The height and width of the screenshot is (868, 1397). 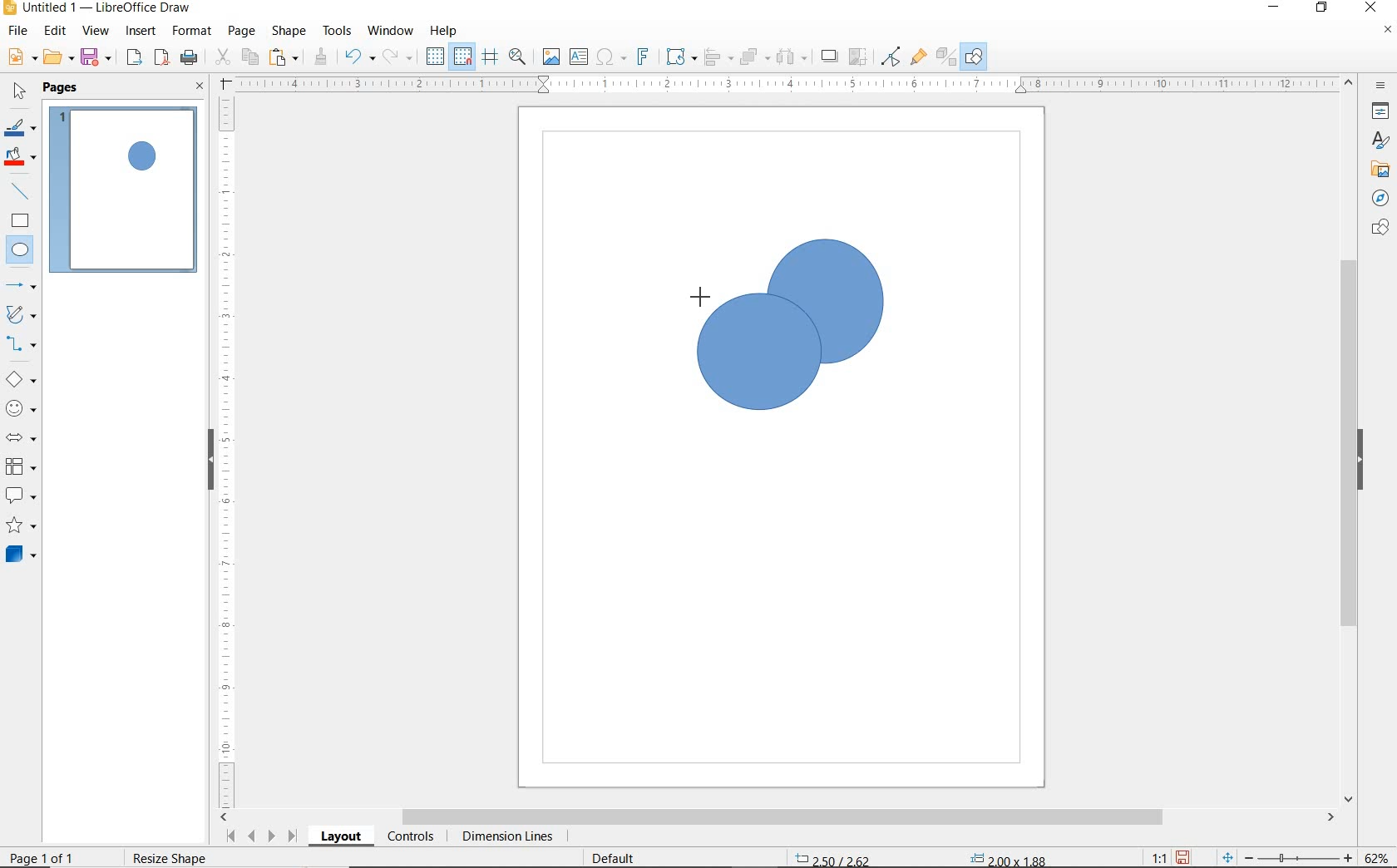 I want to click on FILE NAME, so click(x=96, y=9).